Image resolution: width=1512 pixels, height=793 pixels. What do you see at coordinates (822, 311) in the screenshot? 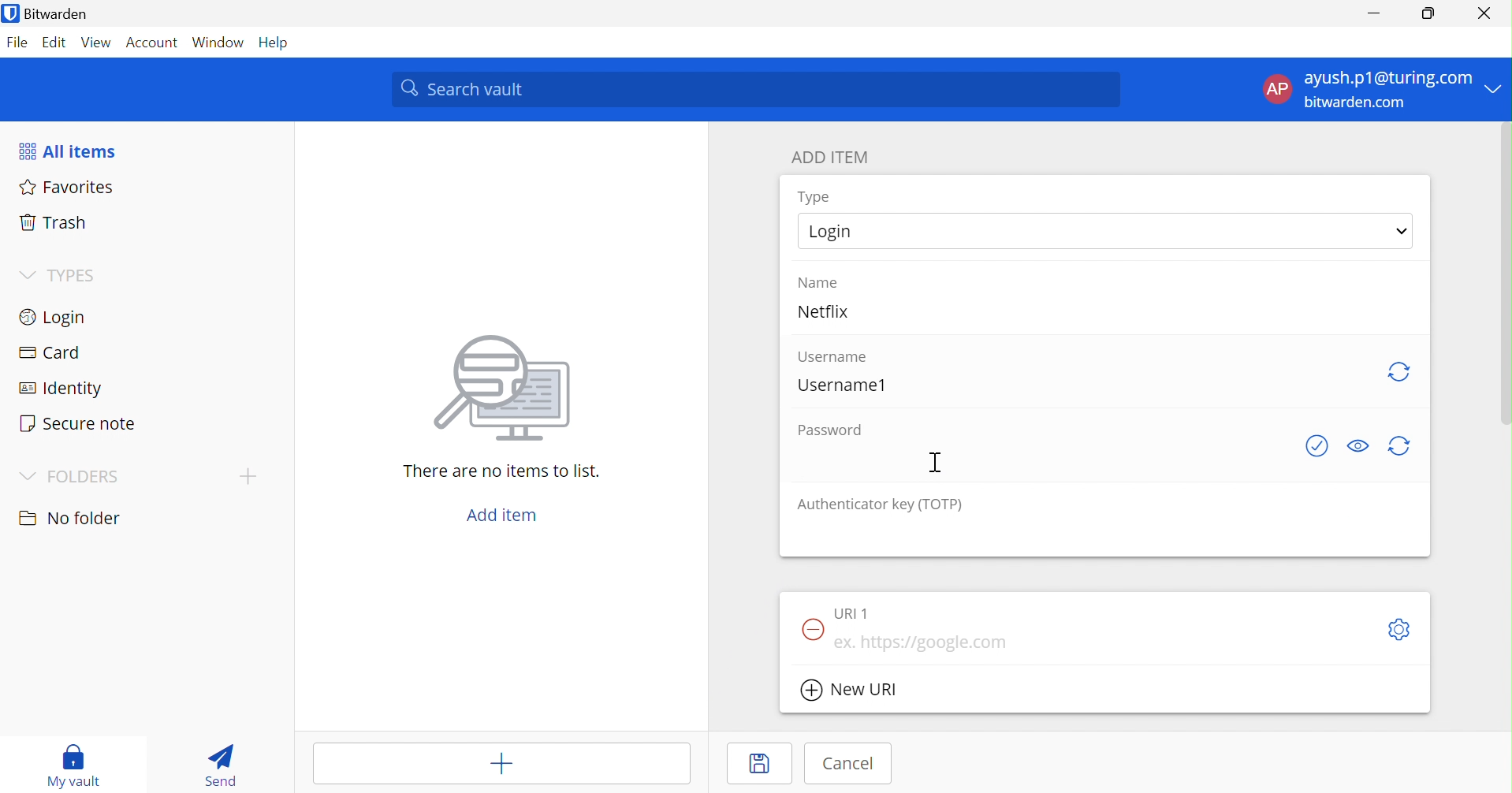
I see `Netflix` at bounding box center [822, 311].